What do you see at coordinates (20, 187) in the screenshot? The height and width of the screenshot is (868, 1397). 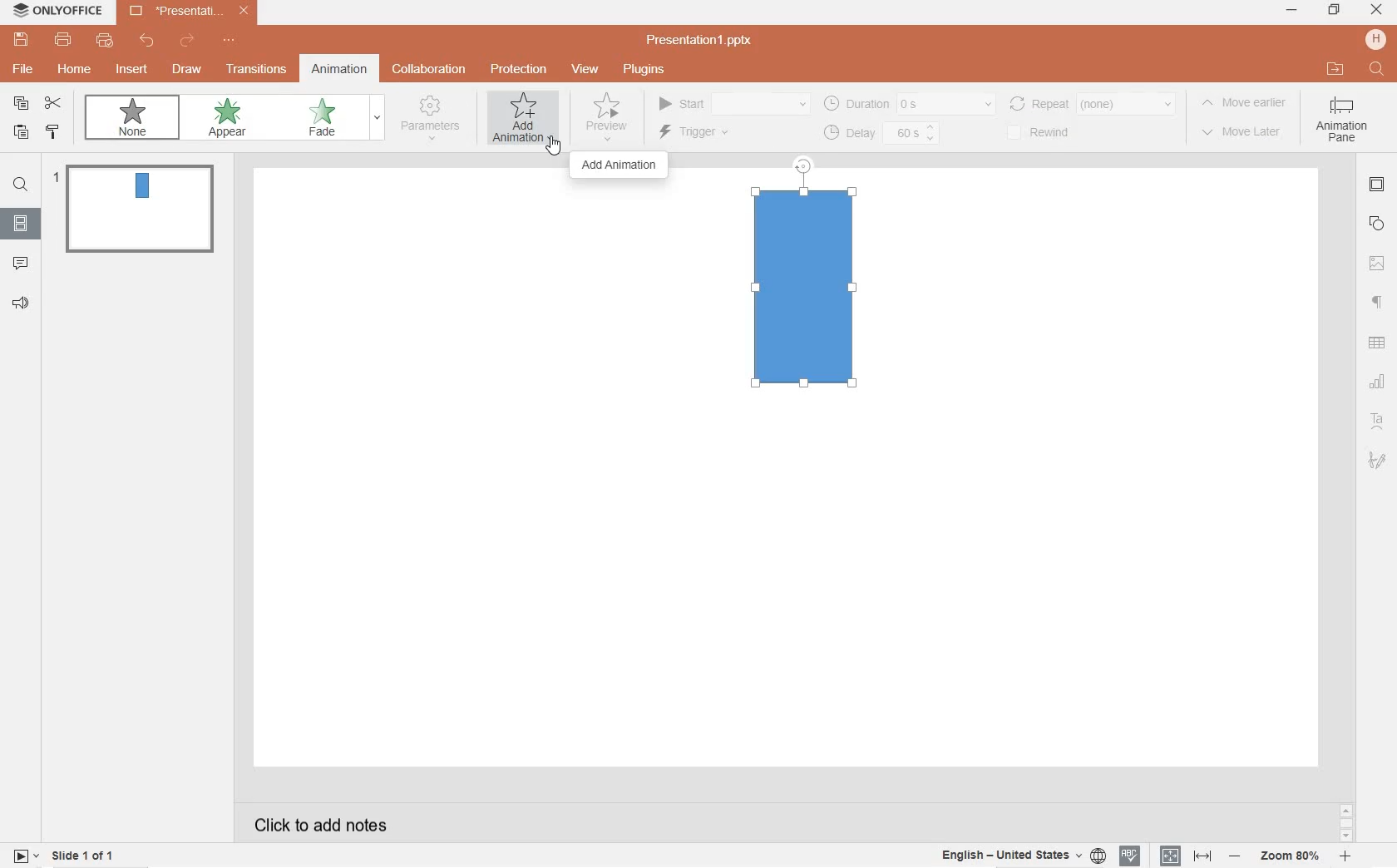 I see `find` at bounding box center [20, 187].